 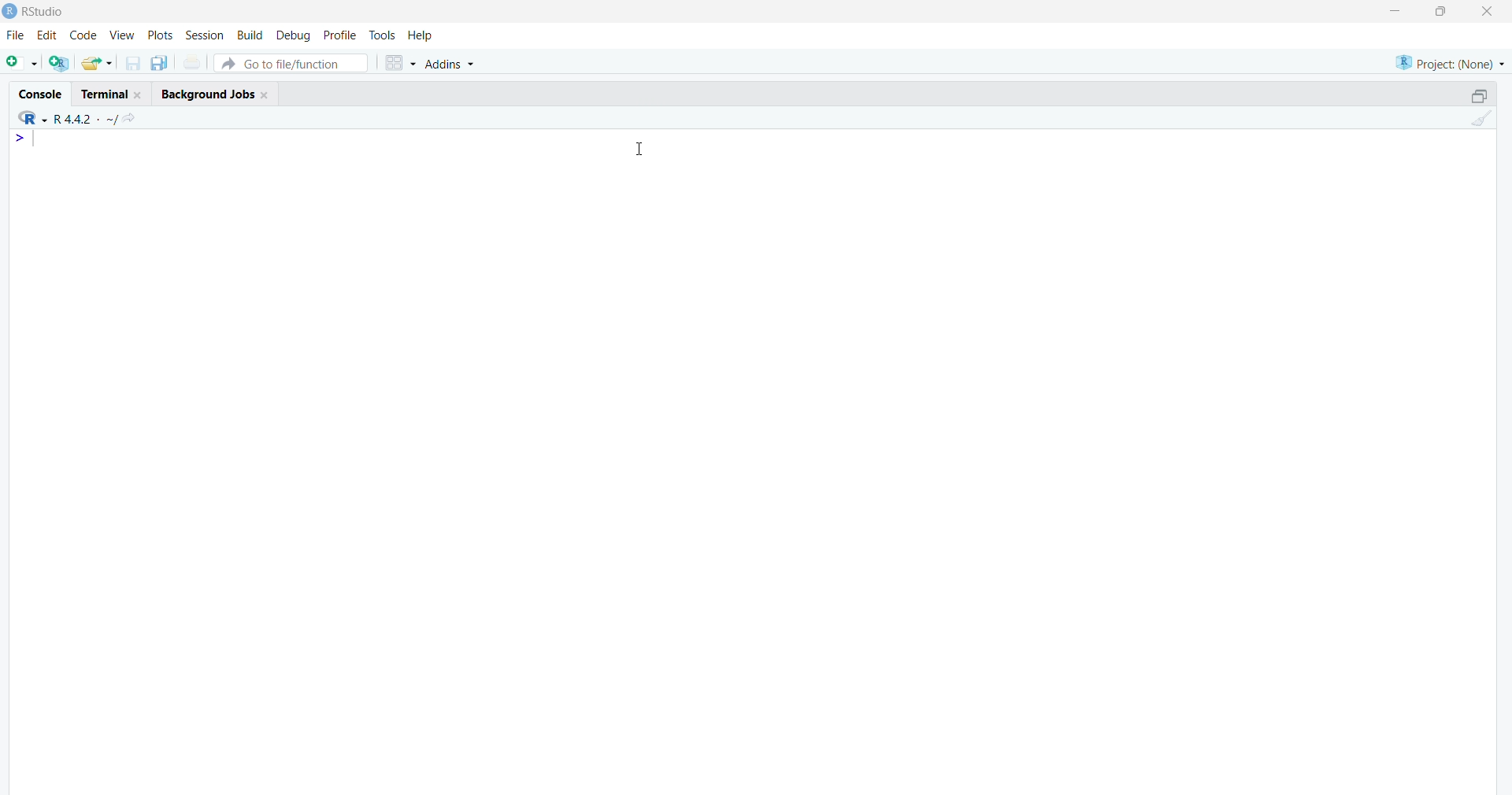 What do you see at coordinates (132, 63) in the screenshot?
I see `save current document` at bounding box center [132, 63].